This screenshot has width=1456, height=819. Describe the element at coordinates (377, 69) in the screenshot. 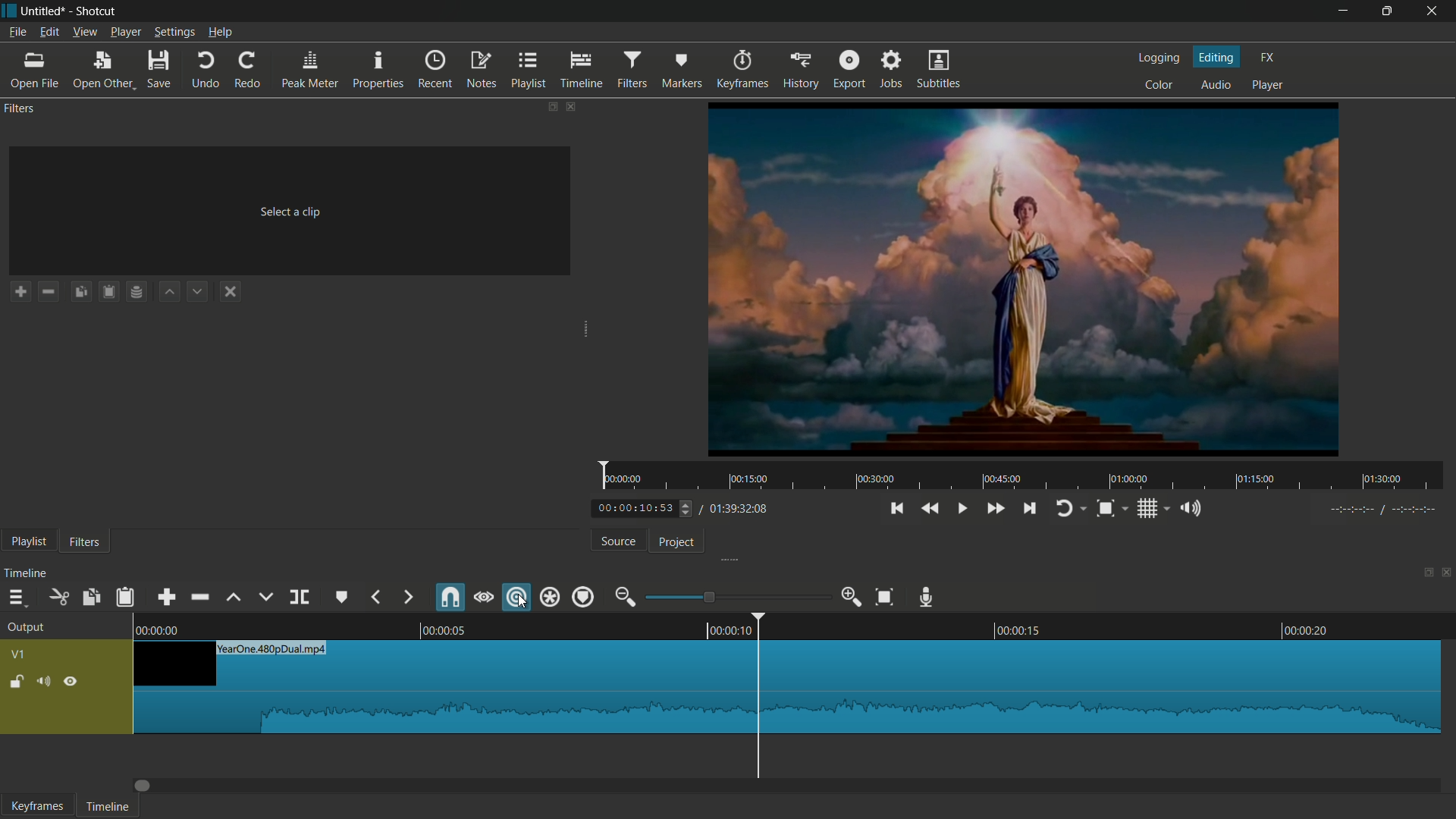

I see `properties` at that location.